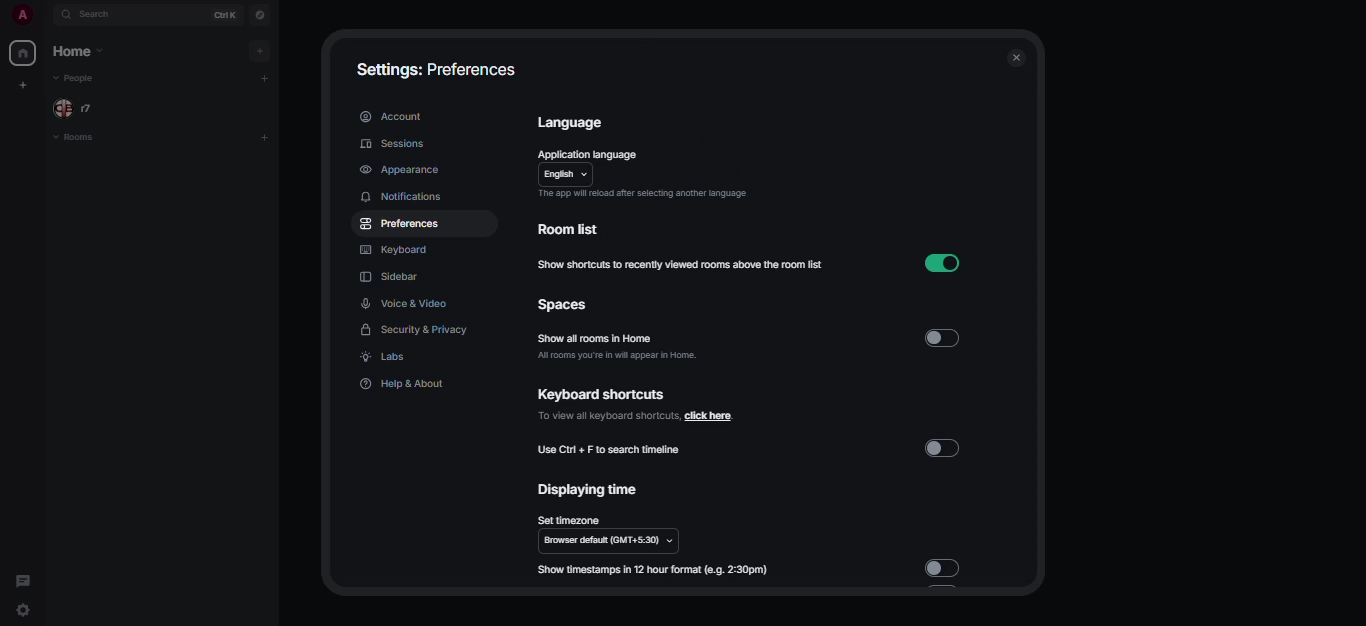  Describe the element at coordinates (29, 578) in the screenshot. I see `threads` at that location.